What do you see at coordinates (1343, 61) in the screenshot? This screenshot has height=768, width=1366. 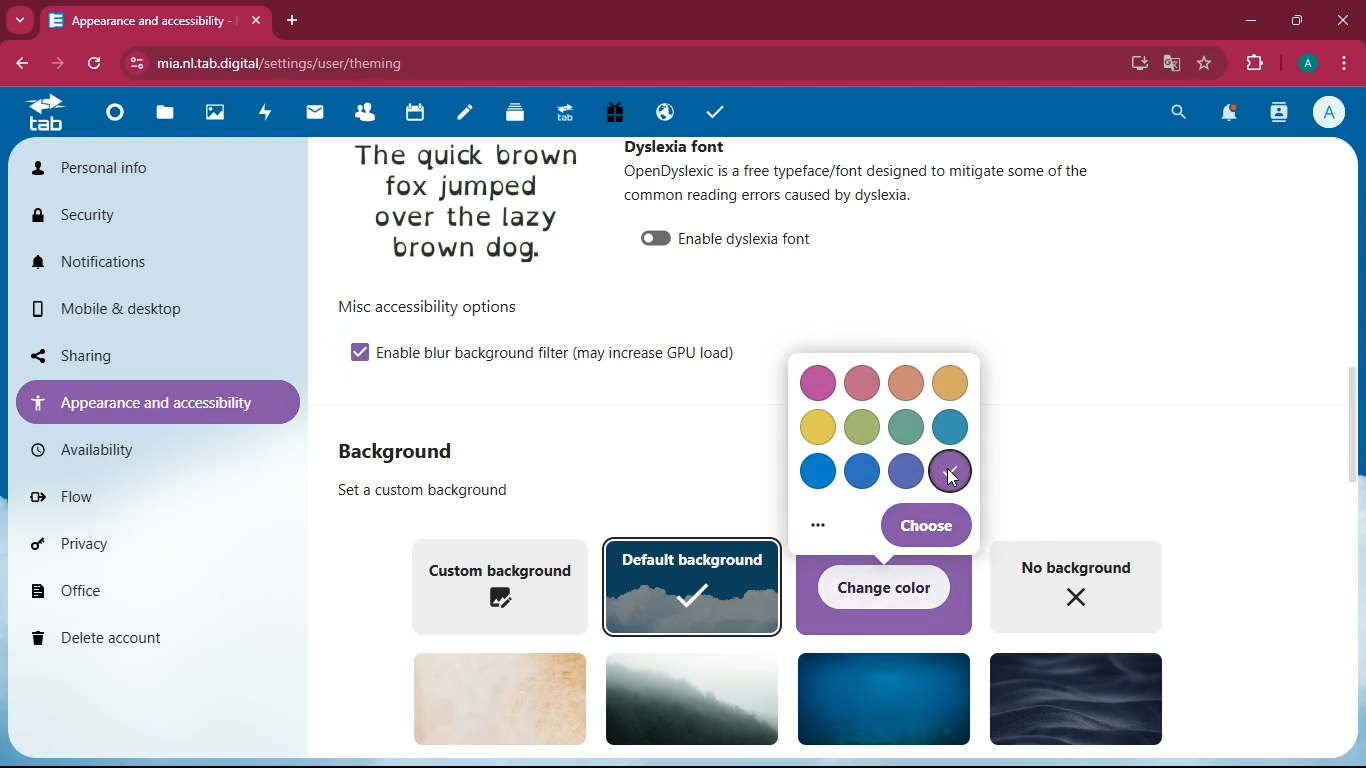 I see `menu` at bounding box center [1343, 61].